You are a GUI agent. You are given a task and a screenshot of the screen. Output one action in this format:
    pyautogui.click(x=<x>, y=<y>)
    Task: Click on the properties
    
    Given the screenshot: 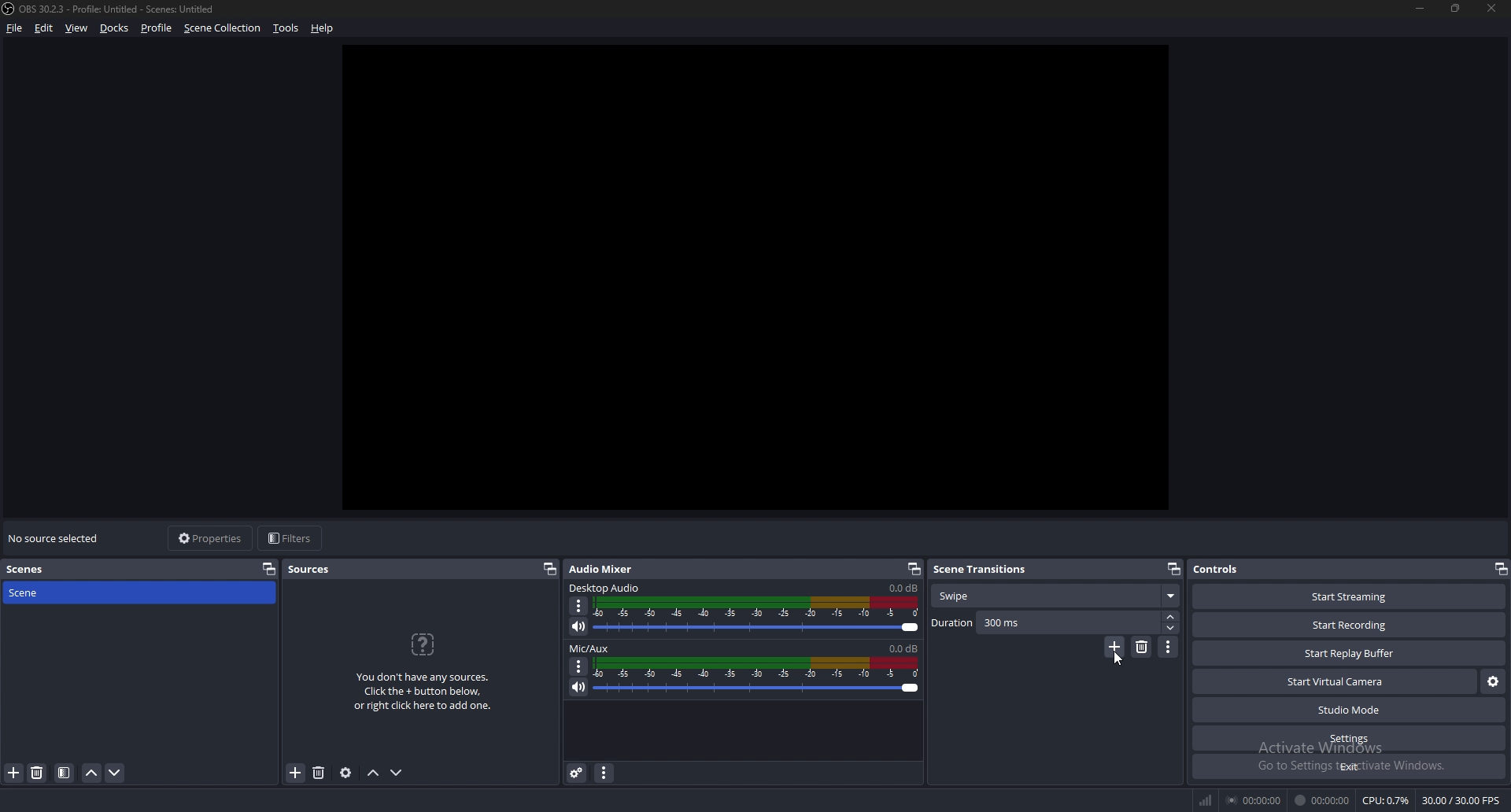 What is the action you would take?
    pyautogui.click(x=212, y=539)
    